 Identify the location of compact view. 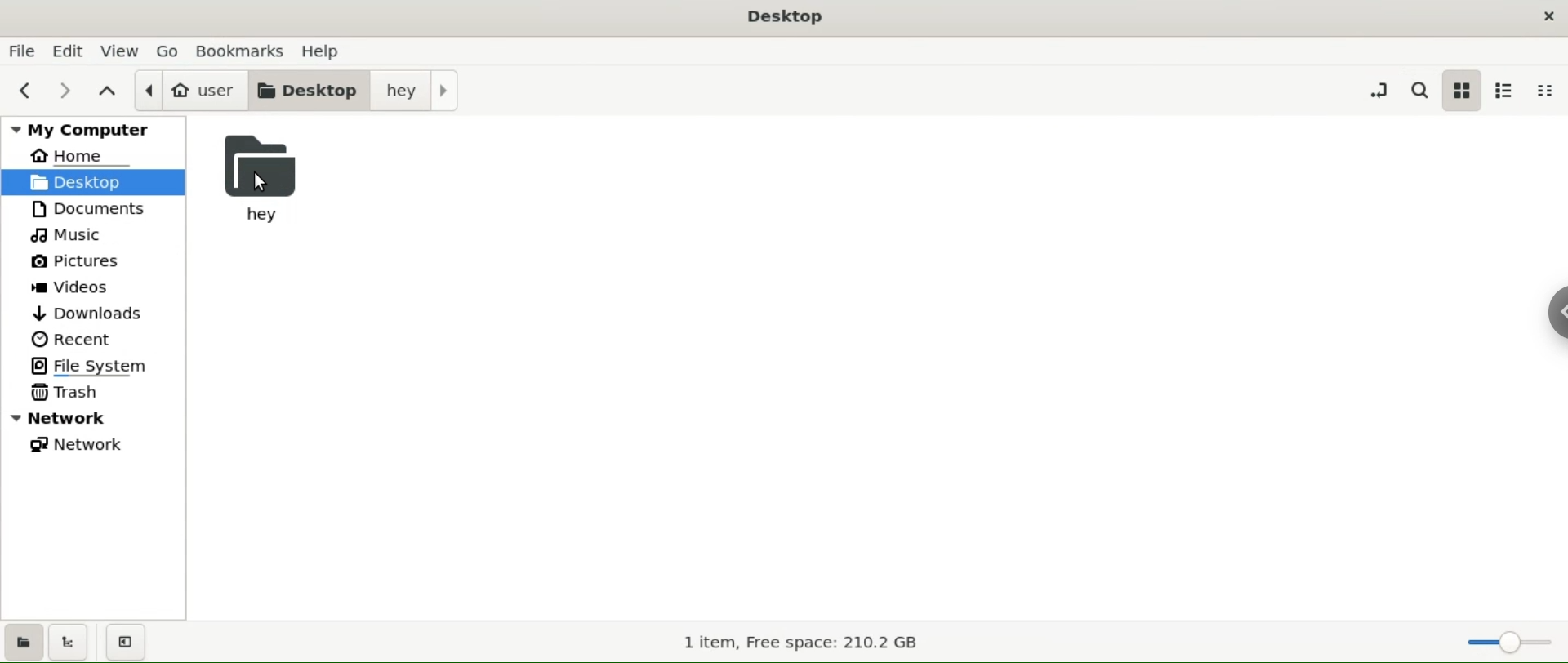
(1543, 93).